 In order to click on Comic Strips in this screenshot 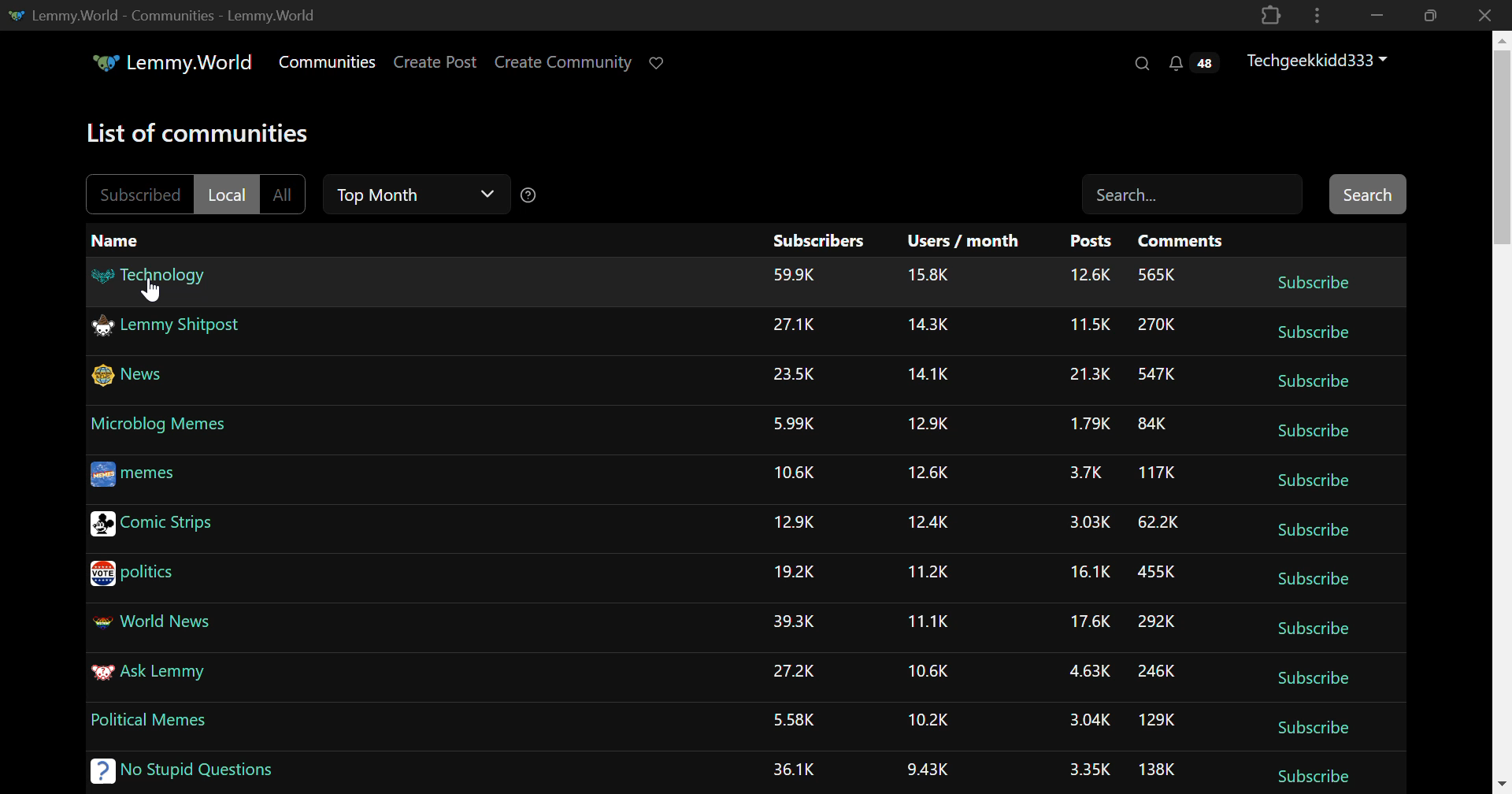, I will do `click(152, 525)`.